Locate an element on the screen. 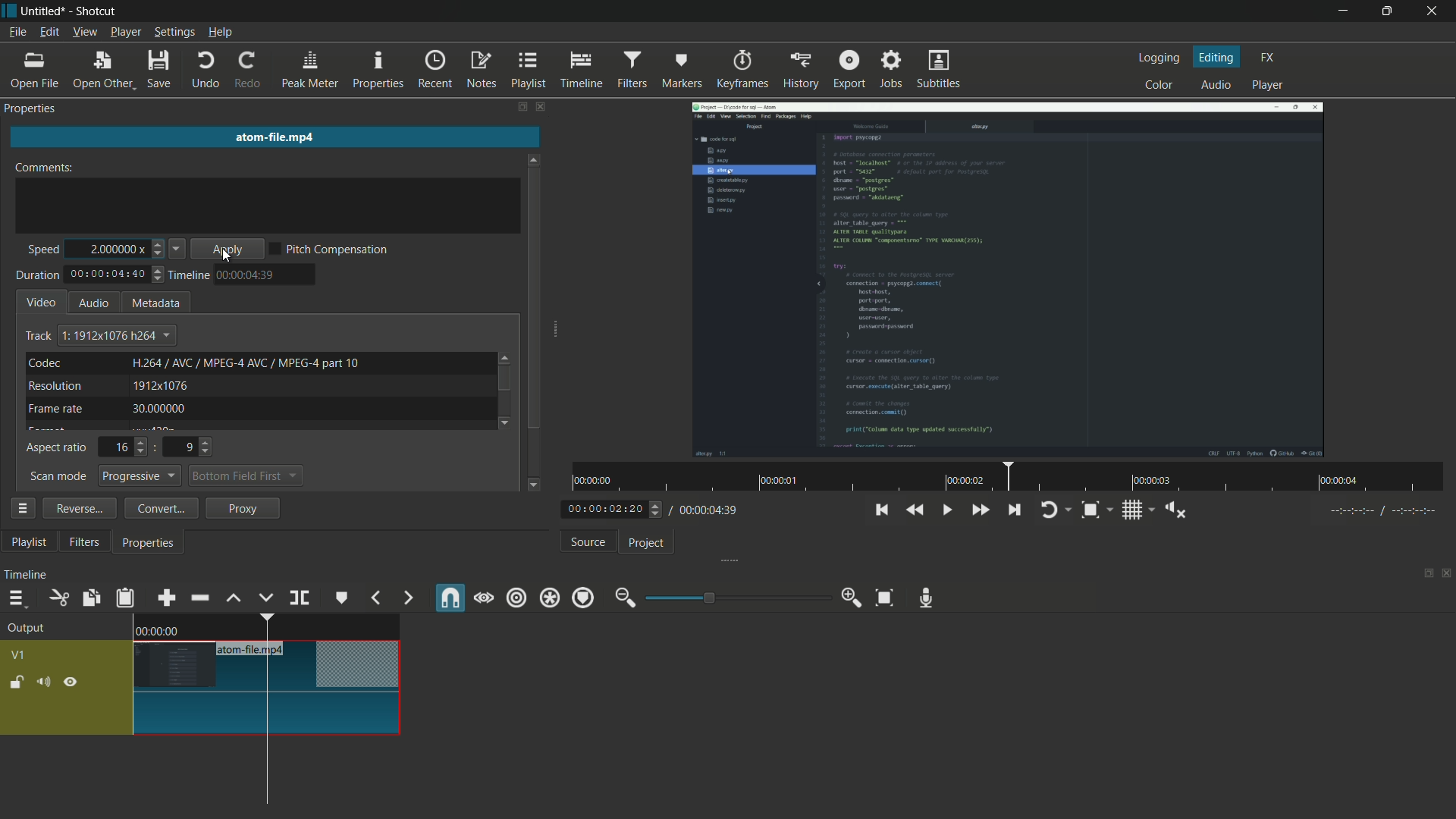 This screenshot has width=1456, height=819. toggle play or pause is located at coordinates (945, 510).